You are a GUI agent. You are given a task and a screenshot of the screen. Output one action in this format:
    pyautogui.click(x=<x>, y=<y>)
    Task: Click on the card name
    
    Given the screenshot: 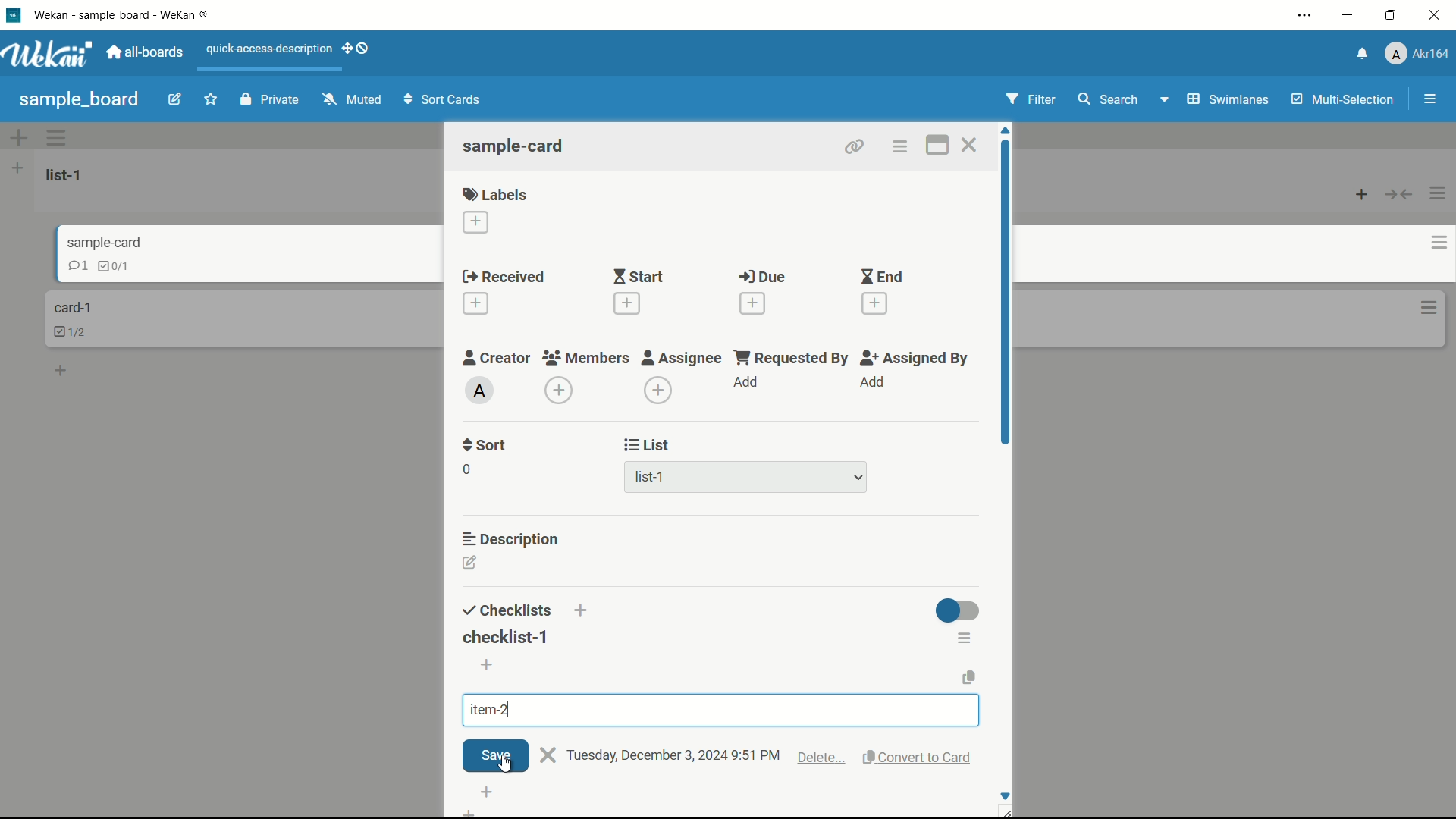 What is the action you would take?
    pyautogui.click(x=515, y=145)
    